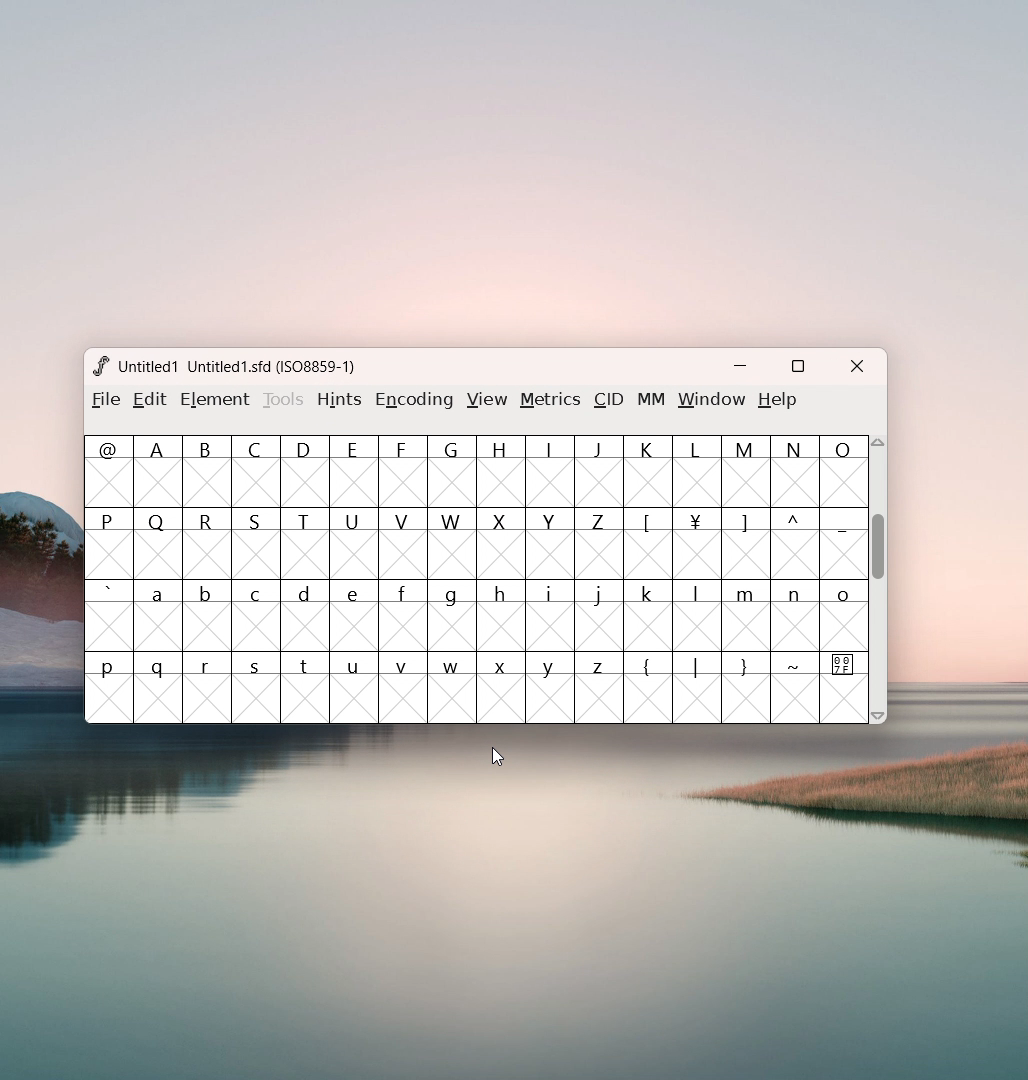 This screenshot has height=1080, width=1028. What do you see at coordinates (355, 617) in the screenshot?
I see `e` at bounding box center [355, 617].